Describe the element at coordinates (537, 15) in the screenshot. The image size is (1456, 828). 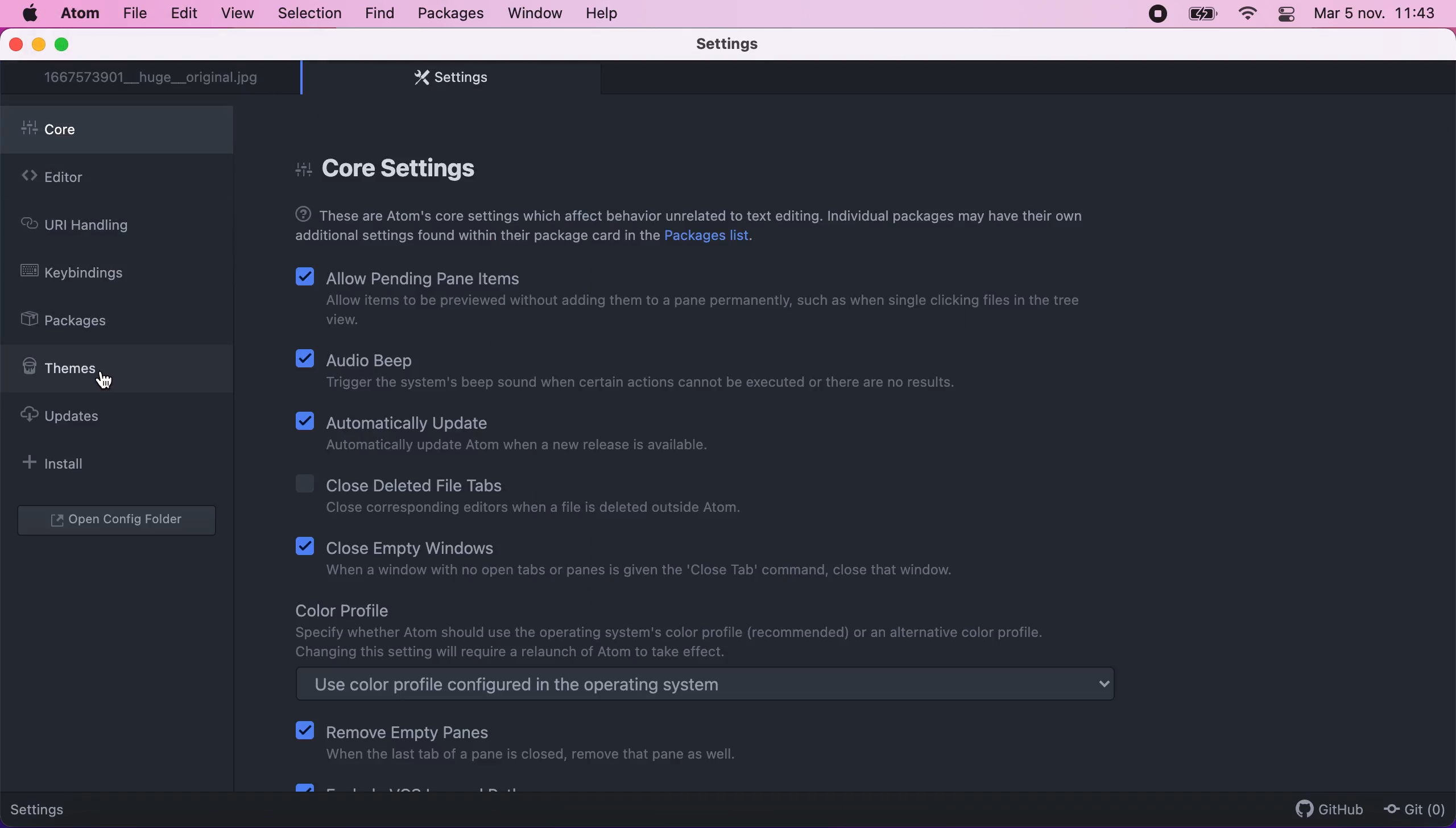
I see `window` at that location.